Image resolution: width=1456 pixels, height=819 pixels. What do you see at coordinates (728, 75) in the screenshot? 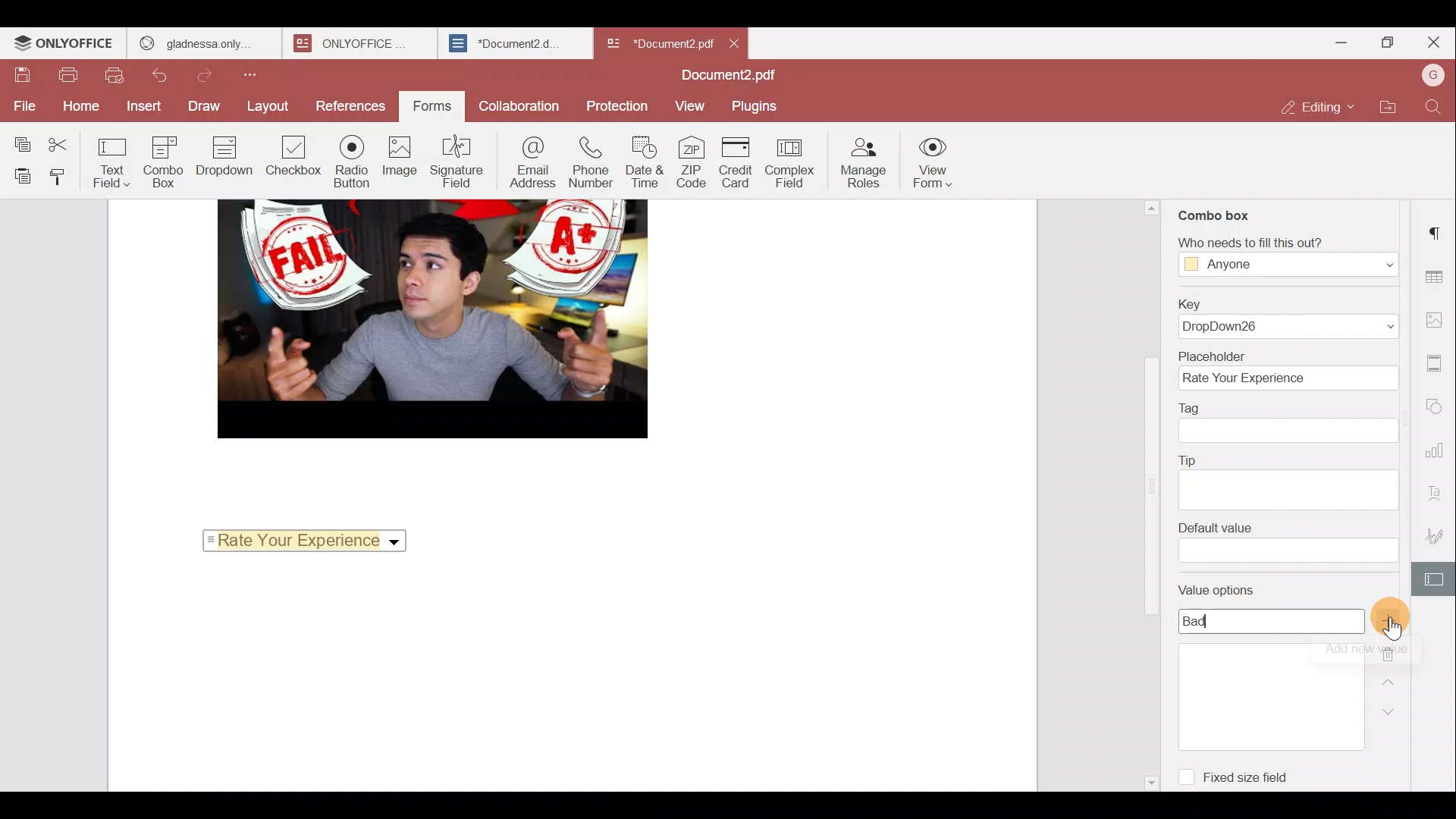
I see `Document2.pdf` at bounding box center [728, 75].